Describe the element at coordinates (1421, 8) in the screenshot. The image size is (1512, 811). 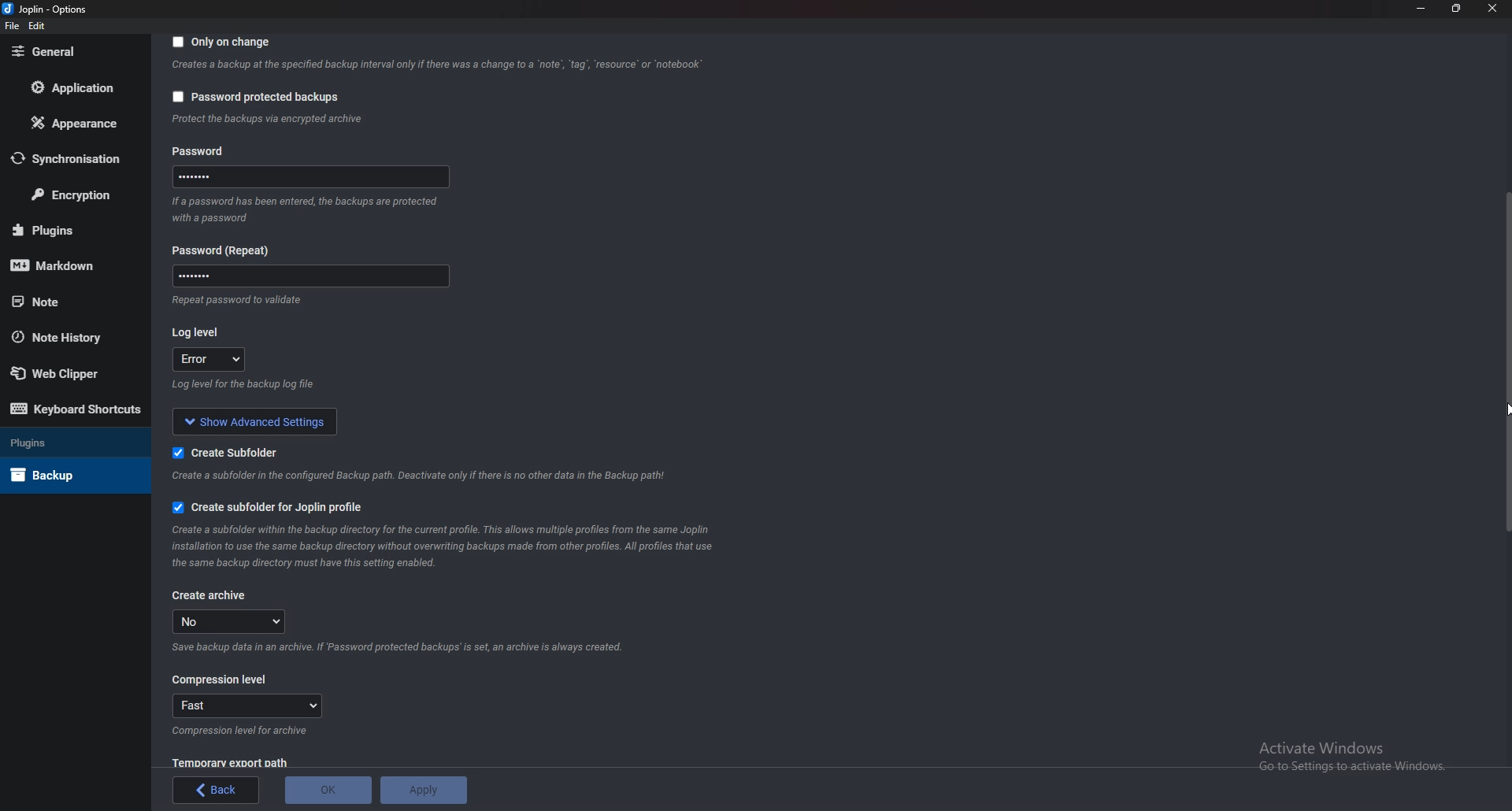
I see `minimize` at that location.